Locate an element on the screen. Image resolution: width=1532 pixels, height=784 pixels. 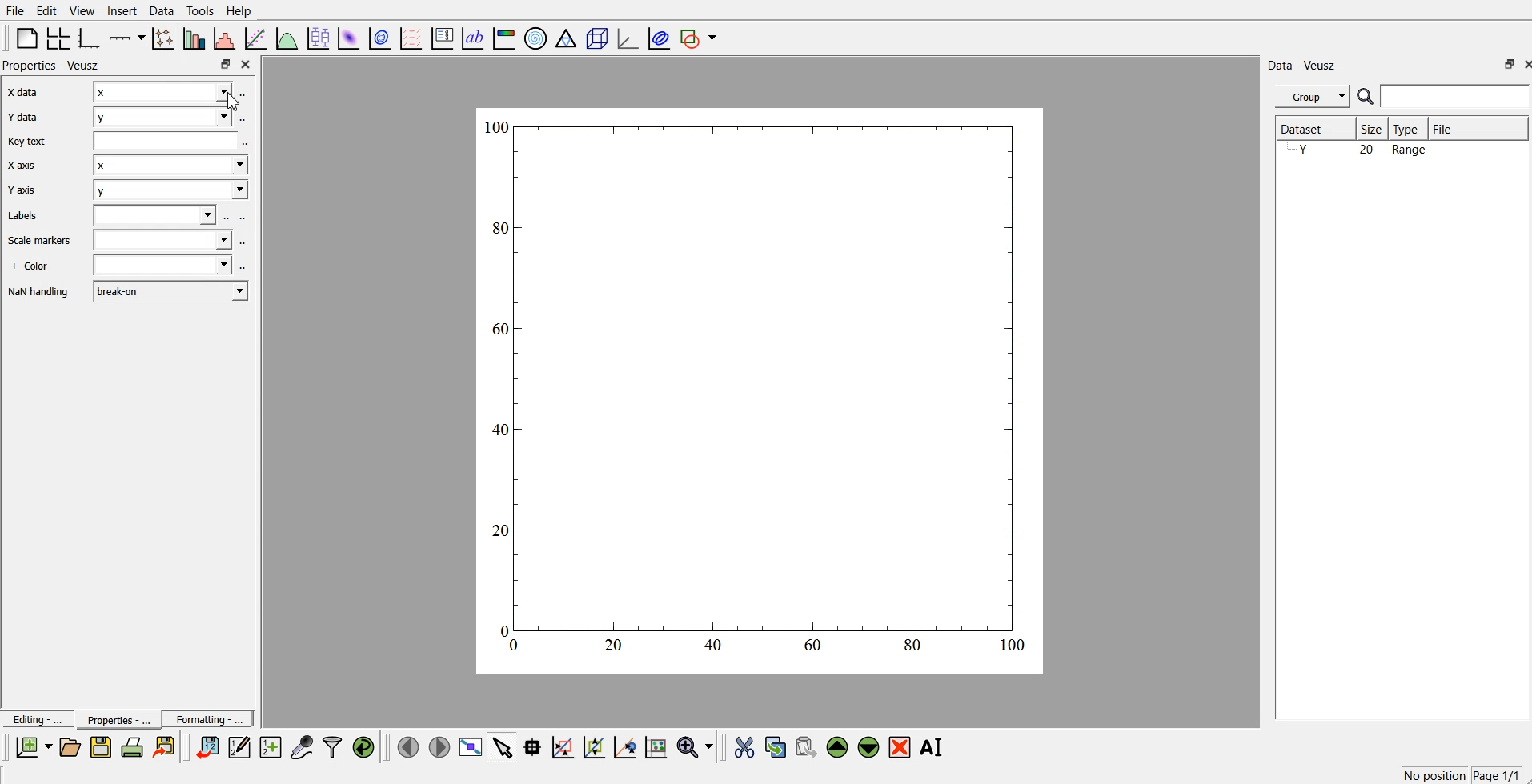
cursor is located at coordinates (235, 104).